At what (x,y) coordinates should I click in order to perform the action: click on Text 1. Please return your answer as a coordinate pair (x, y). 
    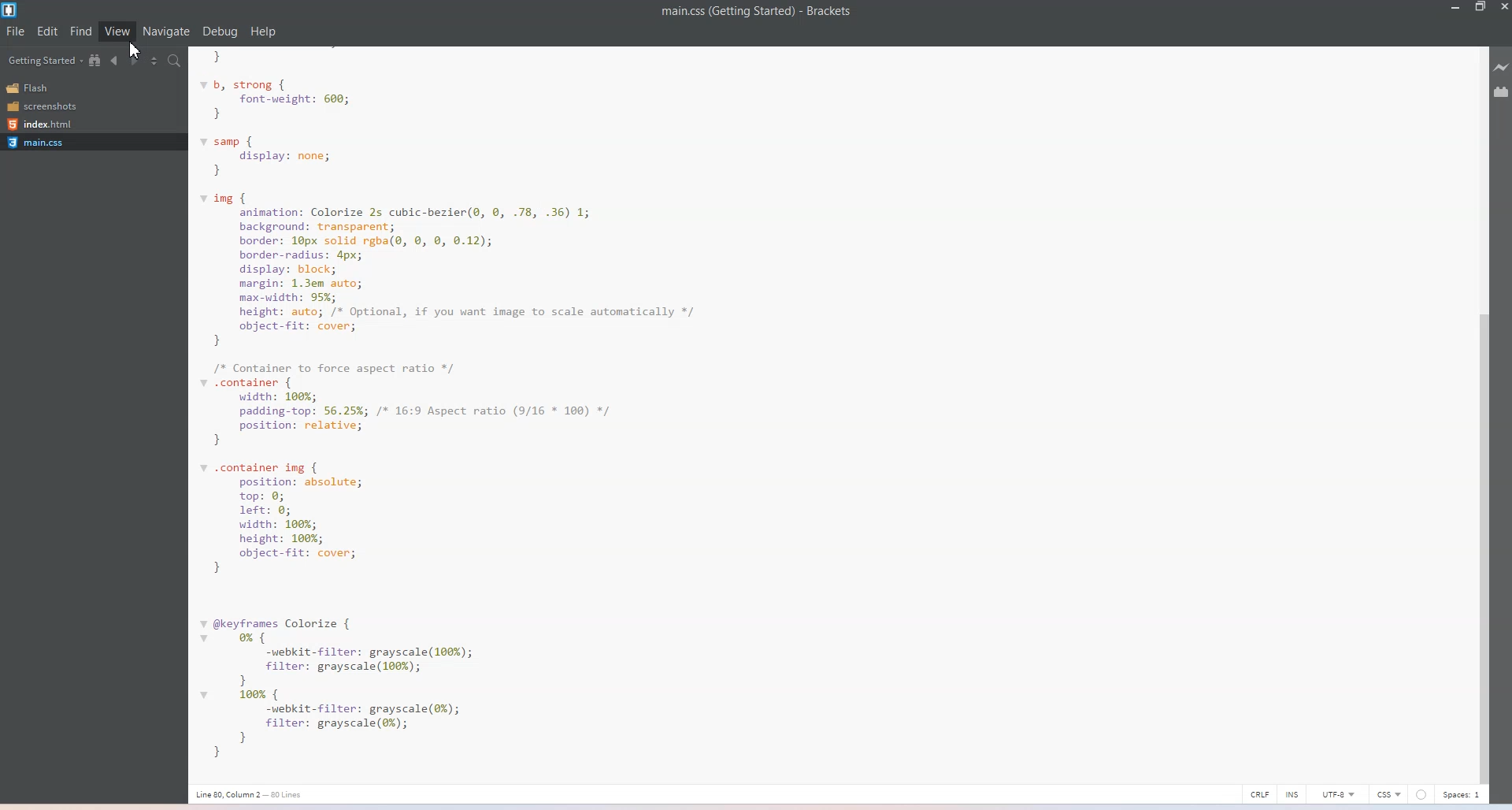
    Looking at the image, I should click on (758, 14).